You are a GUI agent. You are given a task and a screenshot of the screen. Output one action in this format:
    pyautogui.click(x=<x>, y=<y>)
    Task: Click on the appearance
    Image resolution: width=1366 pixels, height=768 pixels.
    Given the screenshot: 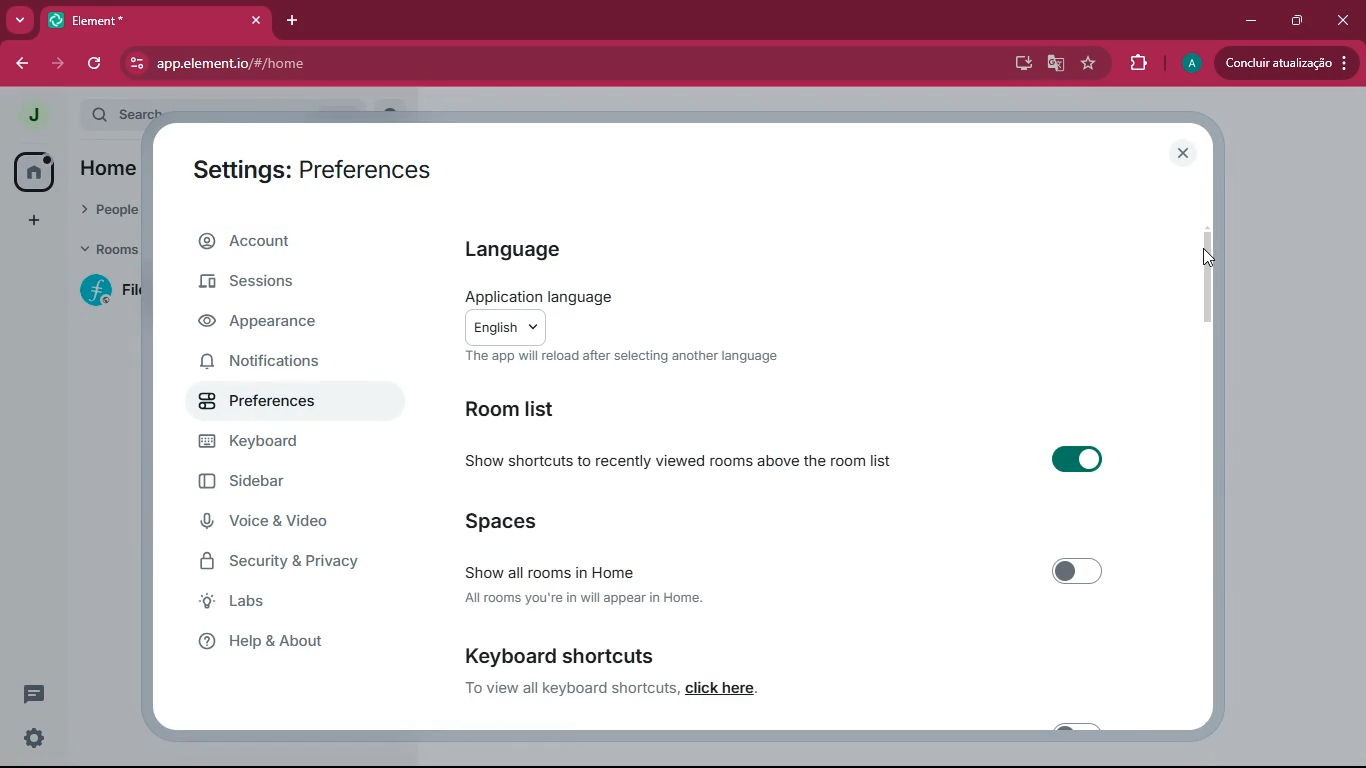 What is the action you would take?
    pyautogui.click(x=280, y=325)
    